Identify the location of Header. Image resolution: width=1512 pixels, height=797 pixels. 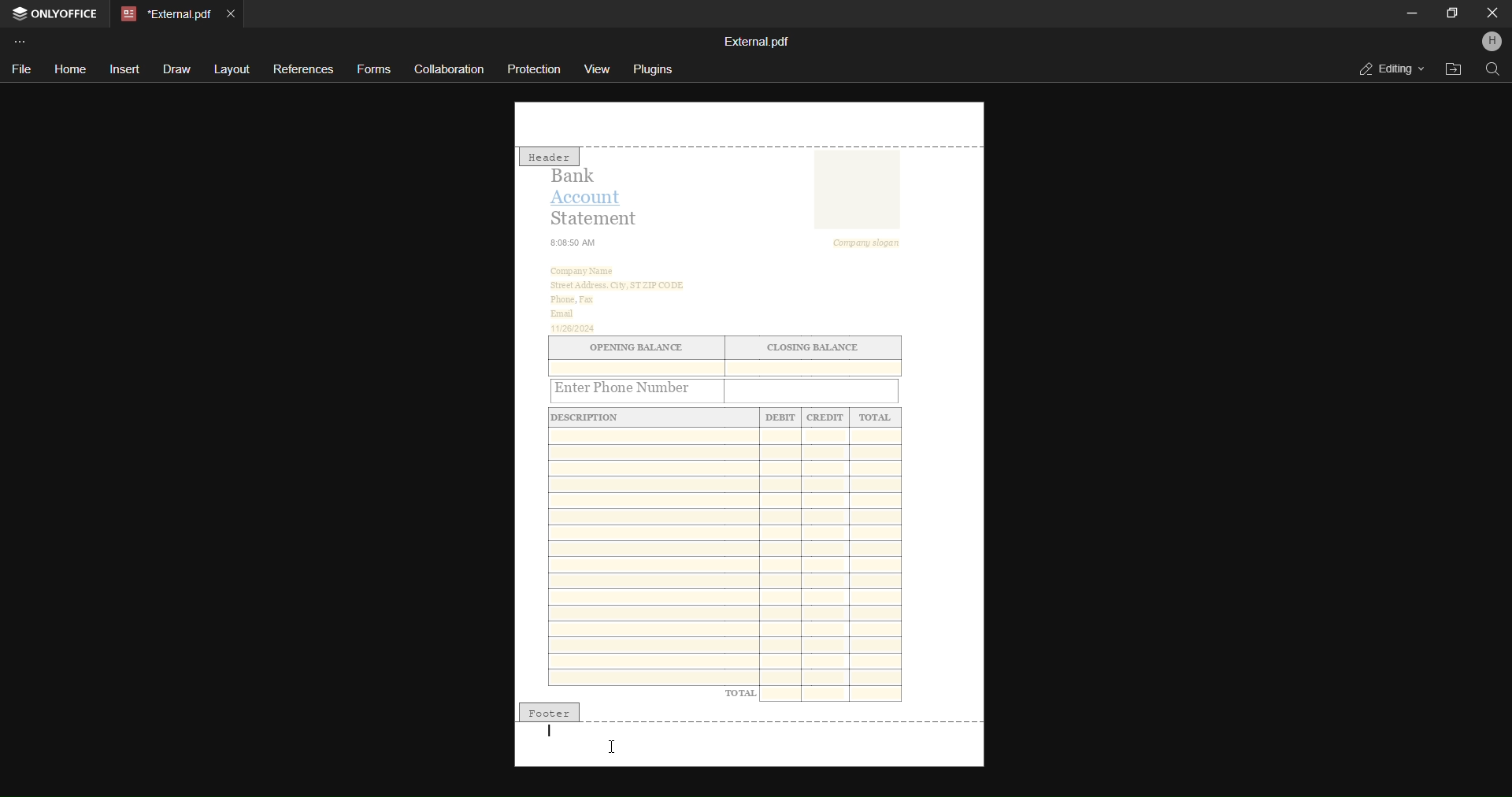
(547, 158).